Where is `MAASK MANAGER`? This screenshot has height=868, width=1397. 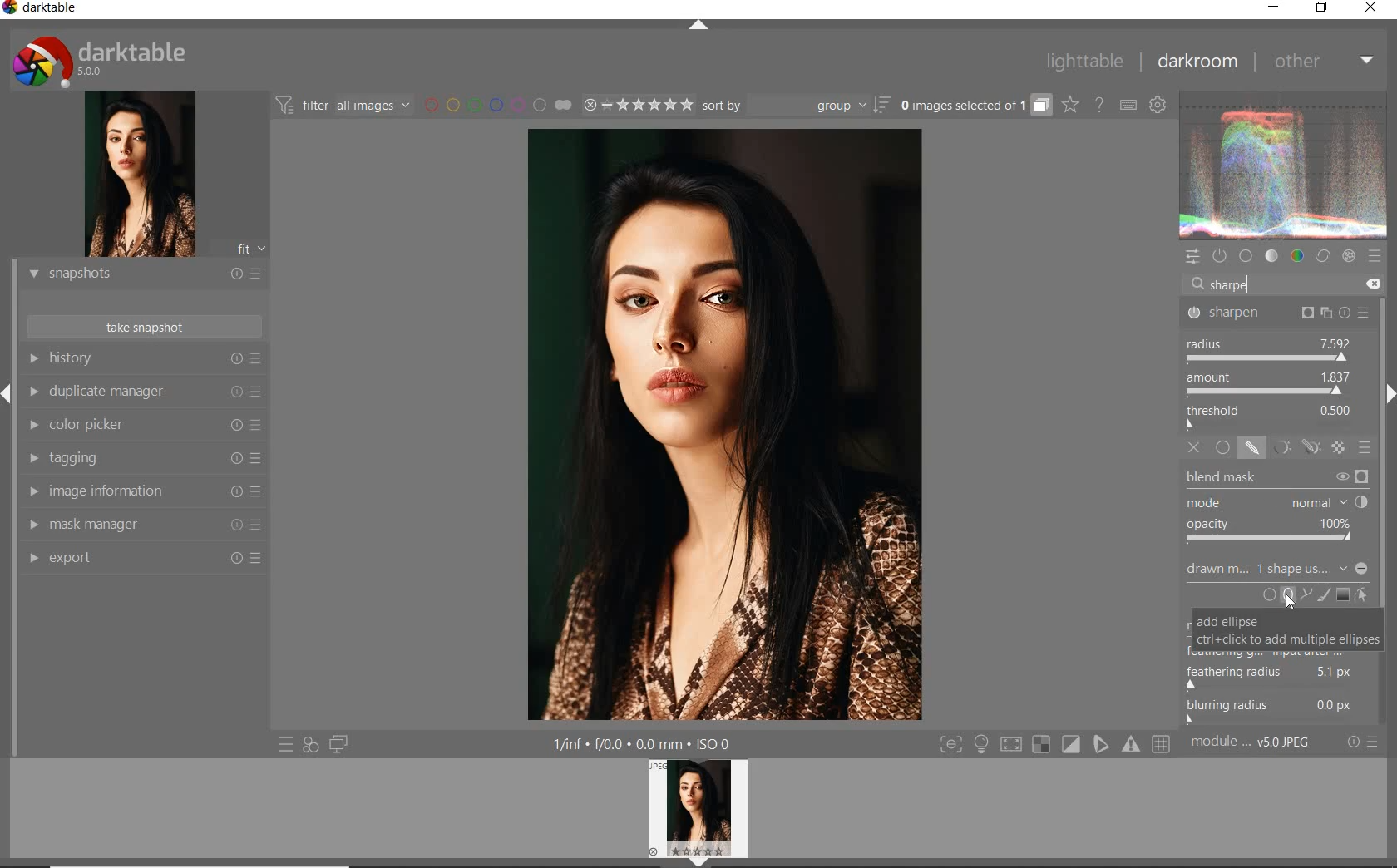 MAASK MANAGER is located at coordinates (143, 525).